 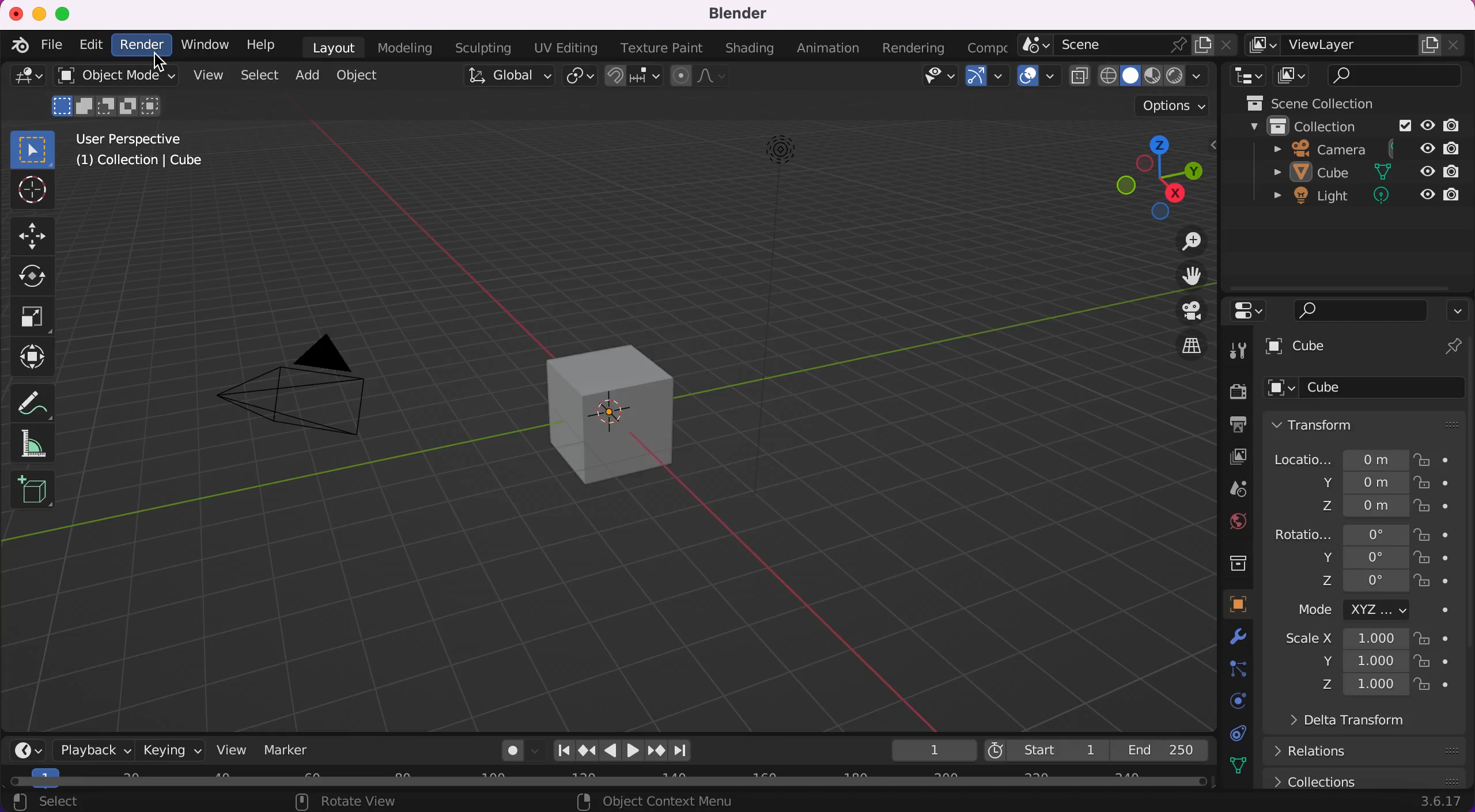 I want to click on shading, so click(x=1155, y=77).